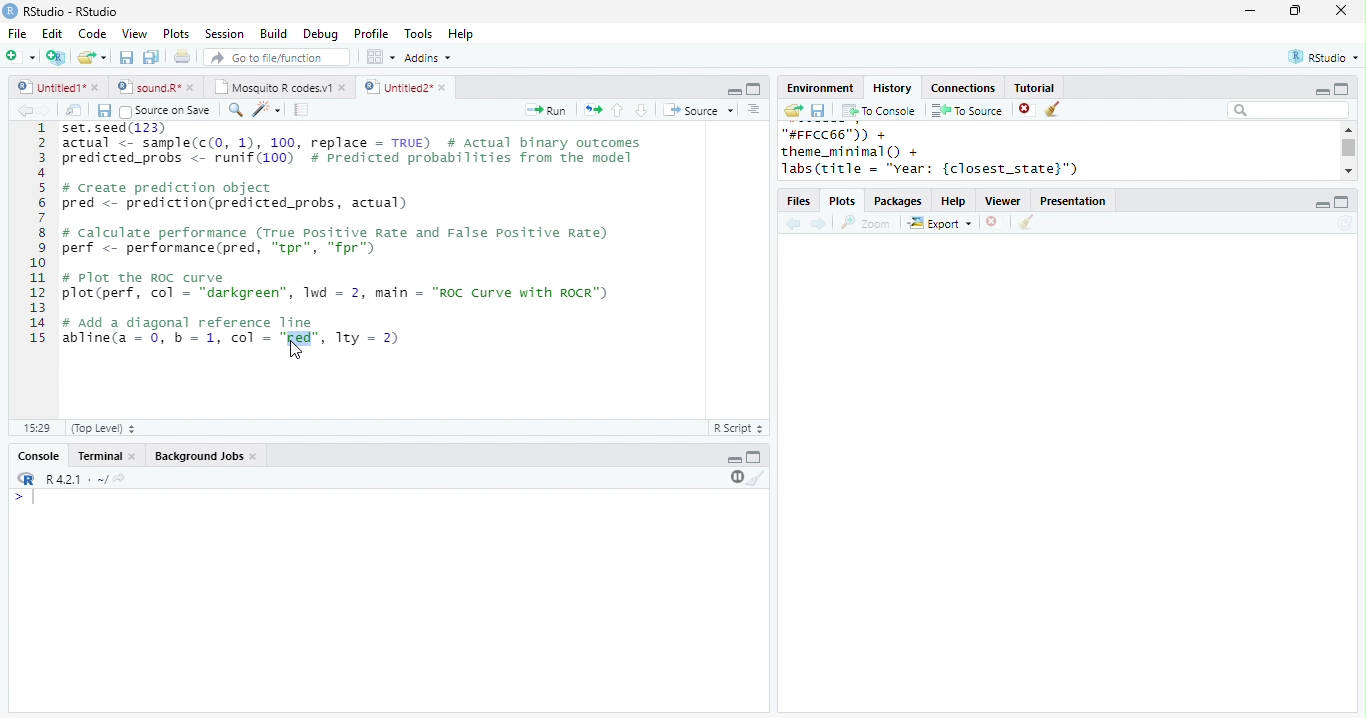 The height and width of the screenshot is (718, 1366). I want to click on 15:29, so click(36, 427).